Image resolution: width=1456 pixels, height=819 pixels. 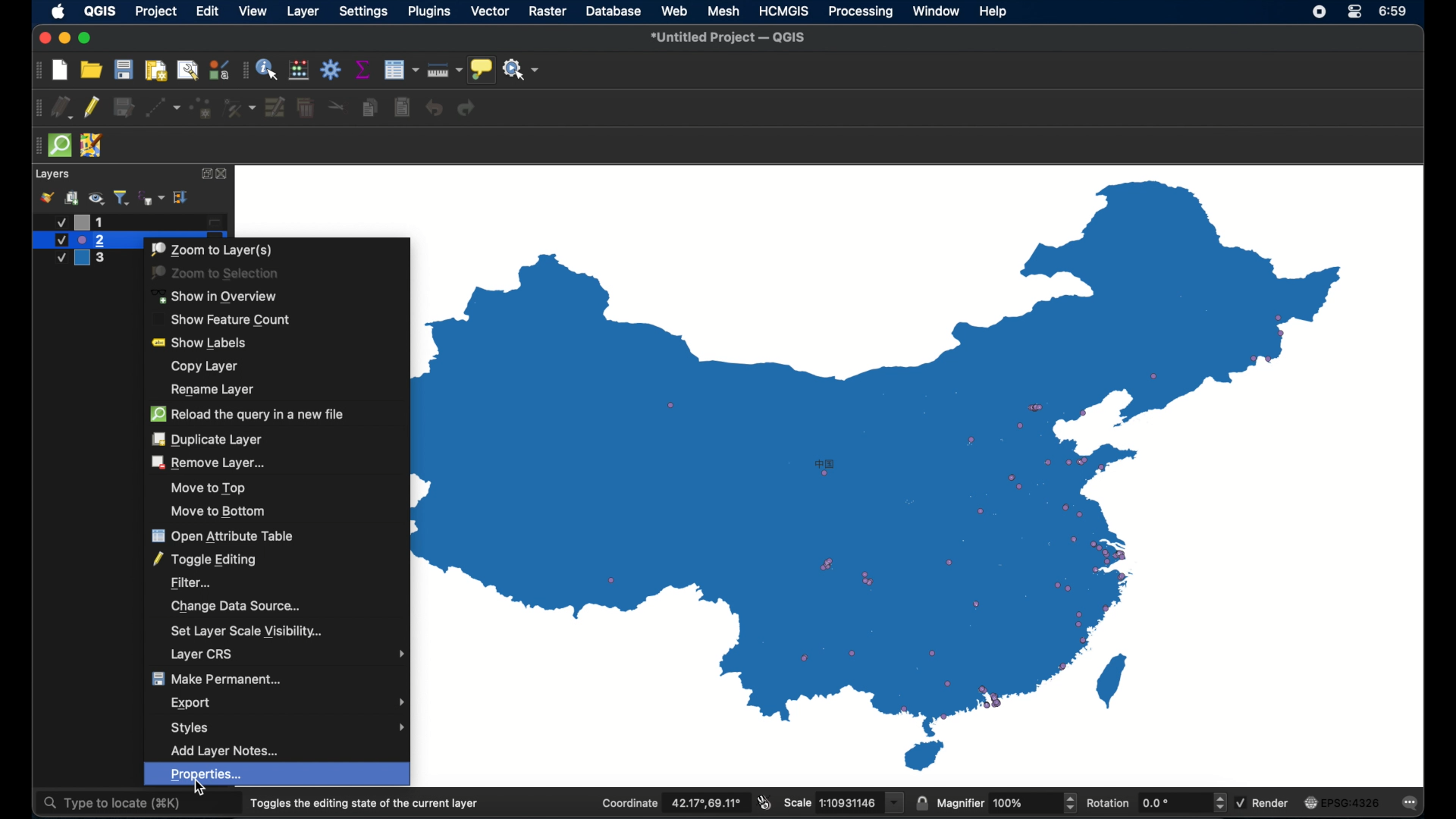 I want to click on database, so click(x=613, y=11).